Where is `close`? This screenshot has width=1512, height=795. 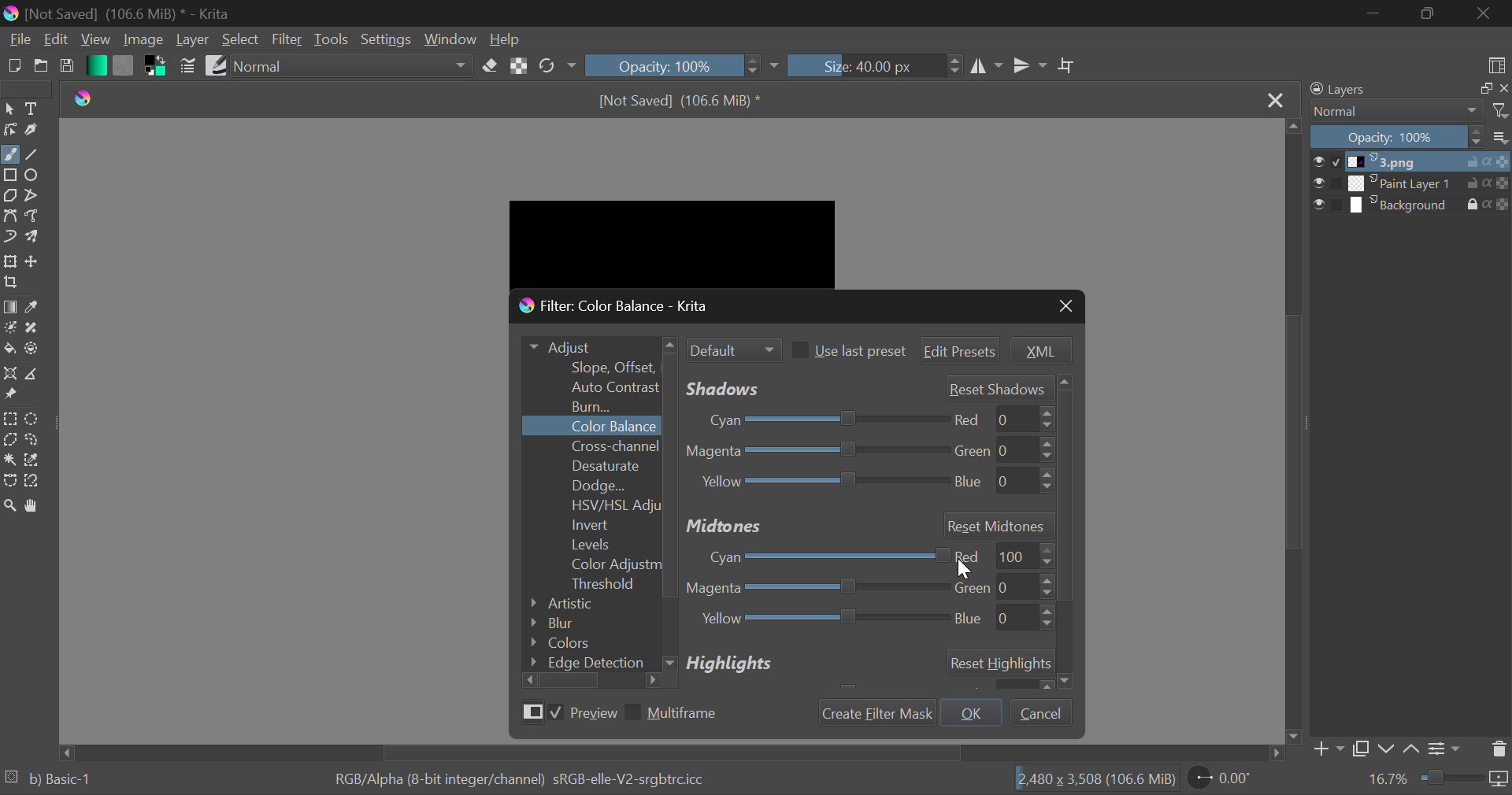
close is located at coordinates (1503, 89).